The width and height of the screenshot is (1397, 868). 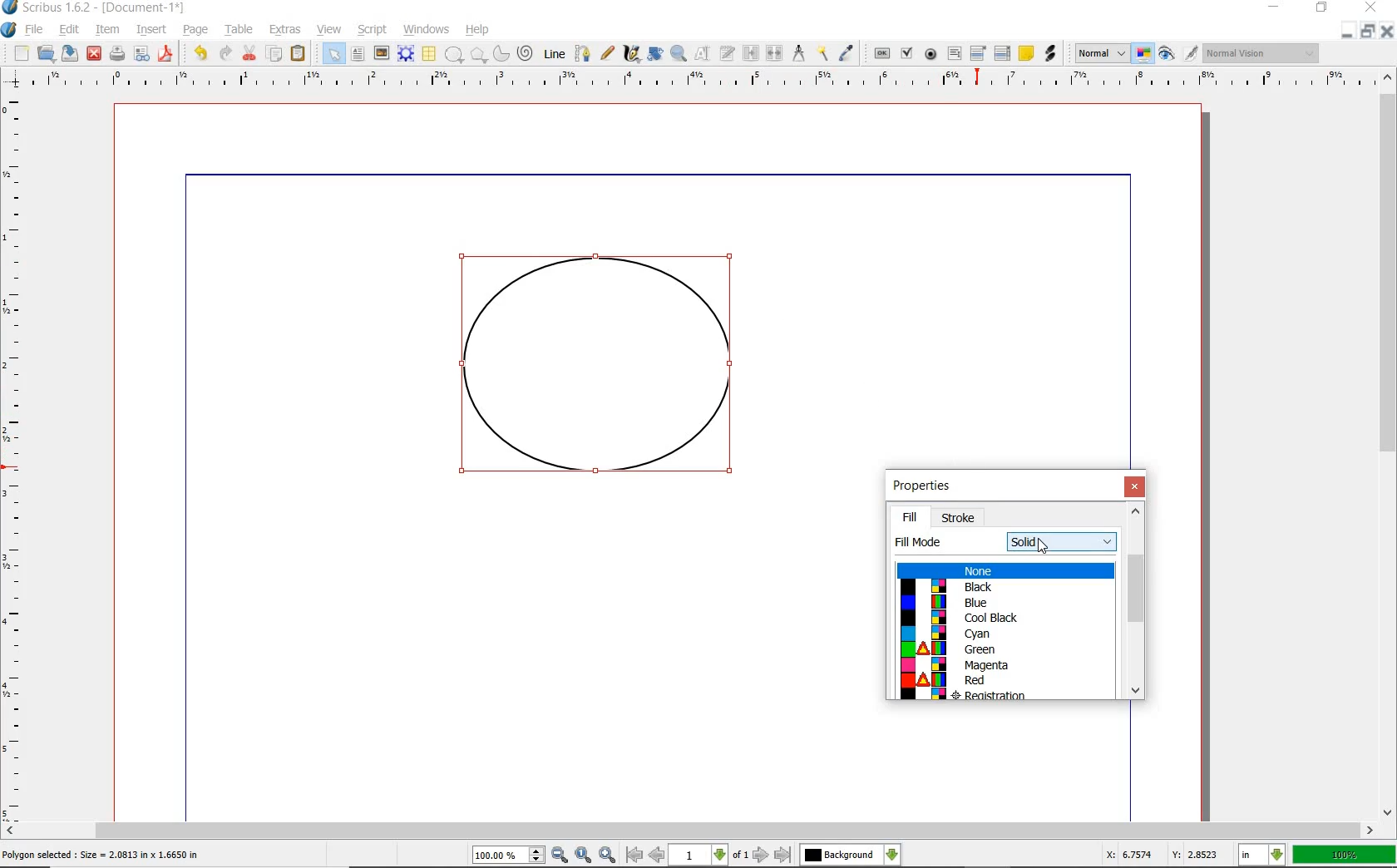 What do you see at coordinates (728, 53) in the screenshot?
I see `EDIT TEXT WITH STORY EDITOR` at bounding box center [728, 53].